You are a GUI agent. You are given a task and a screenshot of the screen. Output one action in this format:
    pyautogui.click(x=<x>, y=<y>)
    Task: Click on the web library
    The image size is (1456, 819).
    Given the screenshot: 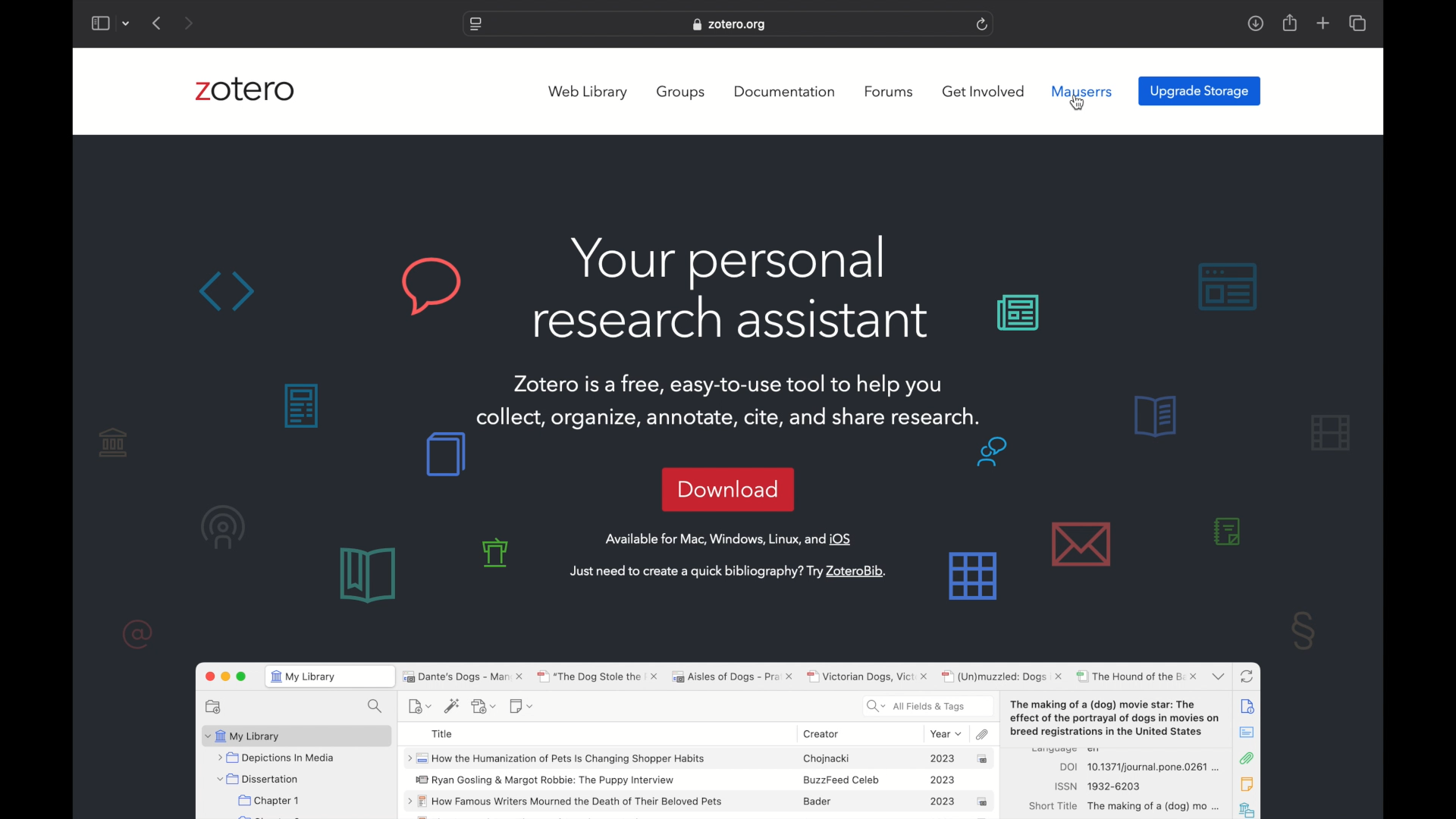 What is the action you would take?
    pyautogui.click(x=587, y=93)
    